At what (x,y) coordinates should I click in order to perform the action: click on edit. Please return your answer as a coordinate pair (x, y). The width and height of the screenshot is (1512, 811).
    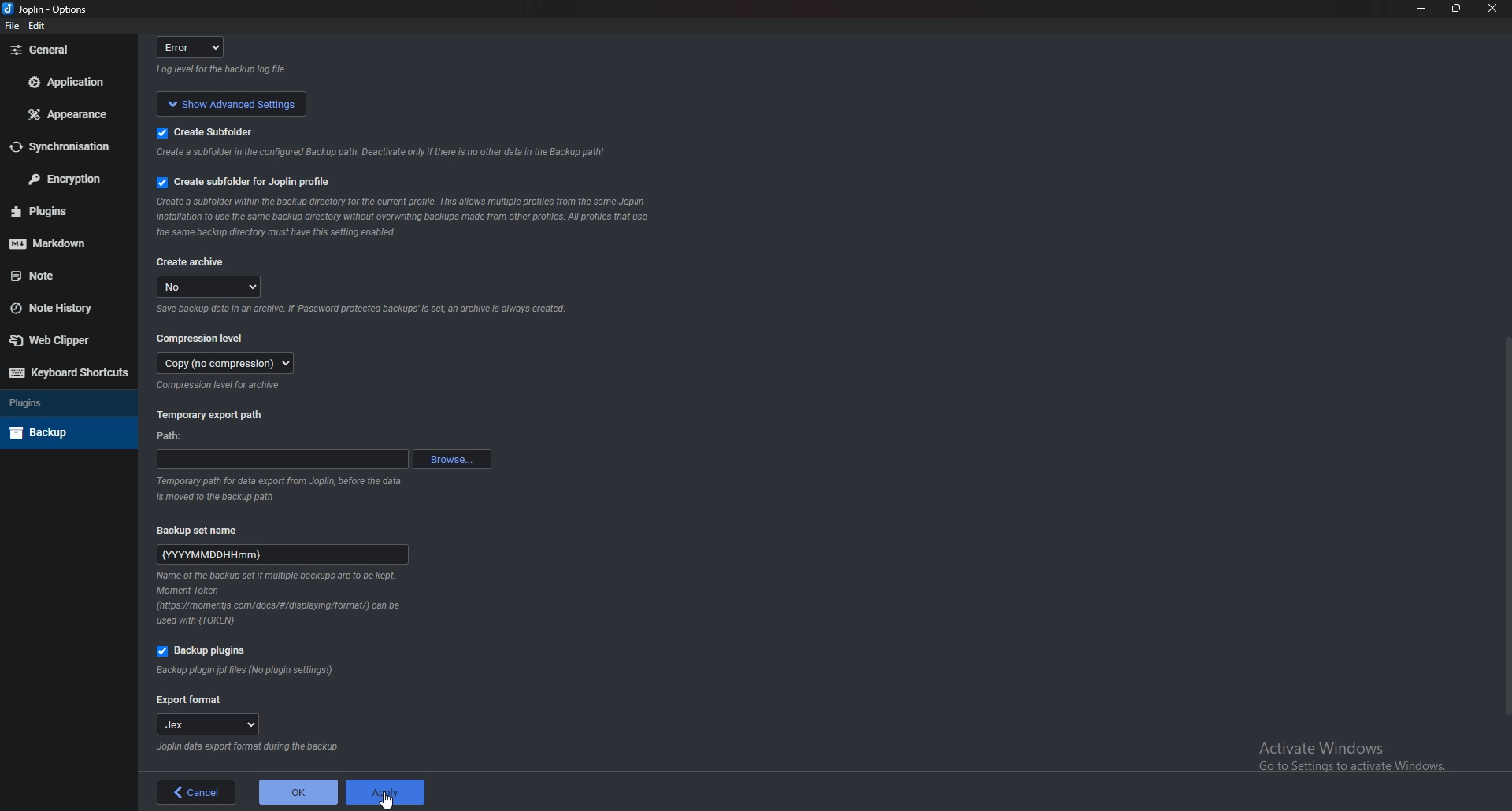
    Looking at the image, I should click on (39, 28).